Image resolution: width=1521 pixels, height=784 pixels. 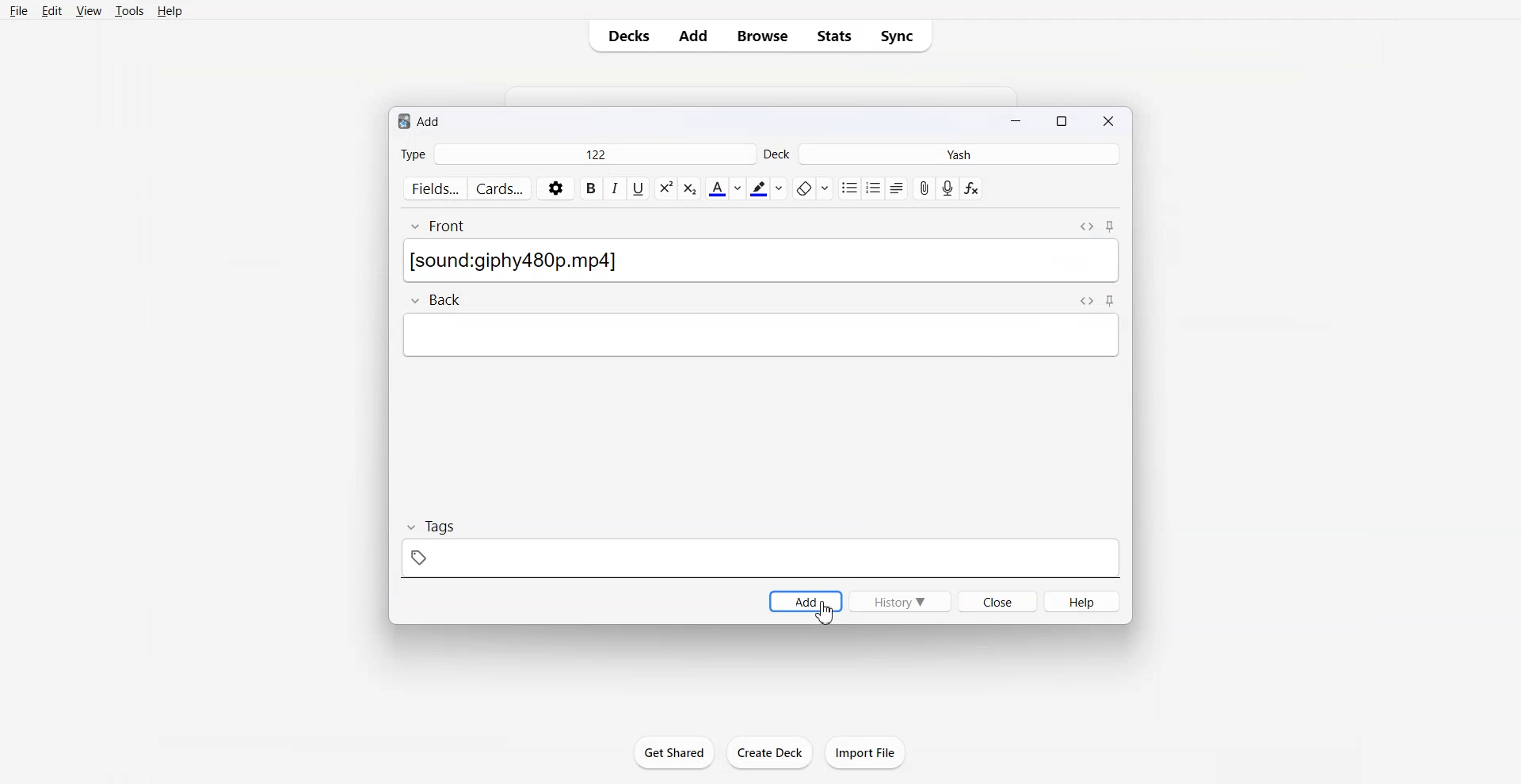 What do you see at coordinates (836, 36) in the screenshot?
I see `Stats` at bounding box center [836, 36].